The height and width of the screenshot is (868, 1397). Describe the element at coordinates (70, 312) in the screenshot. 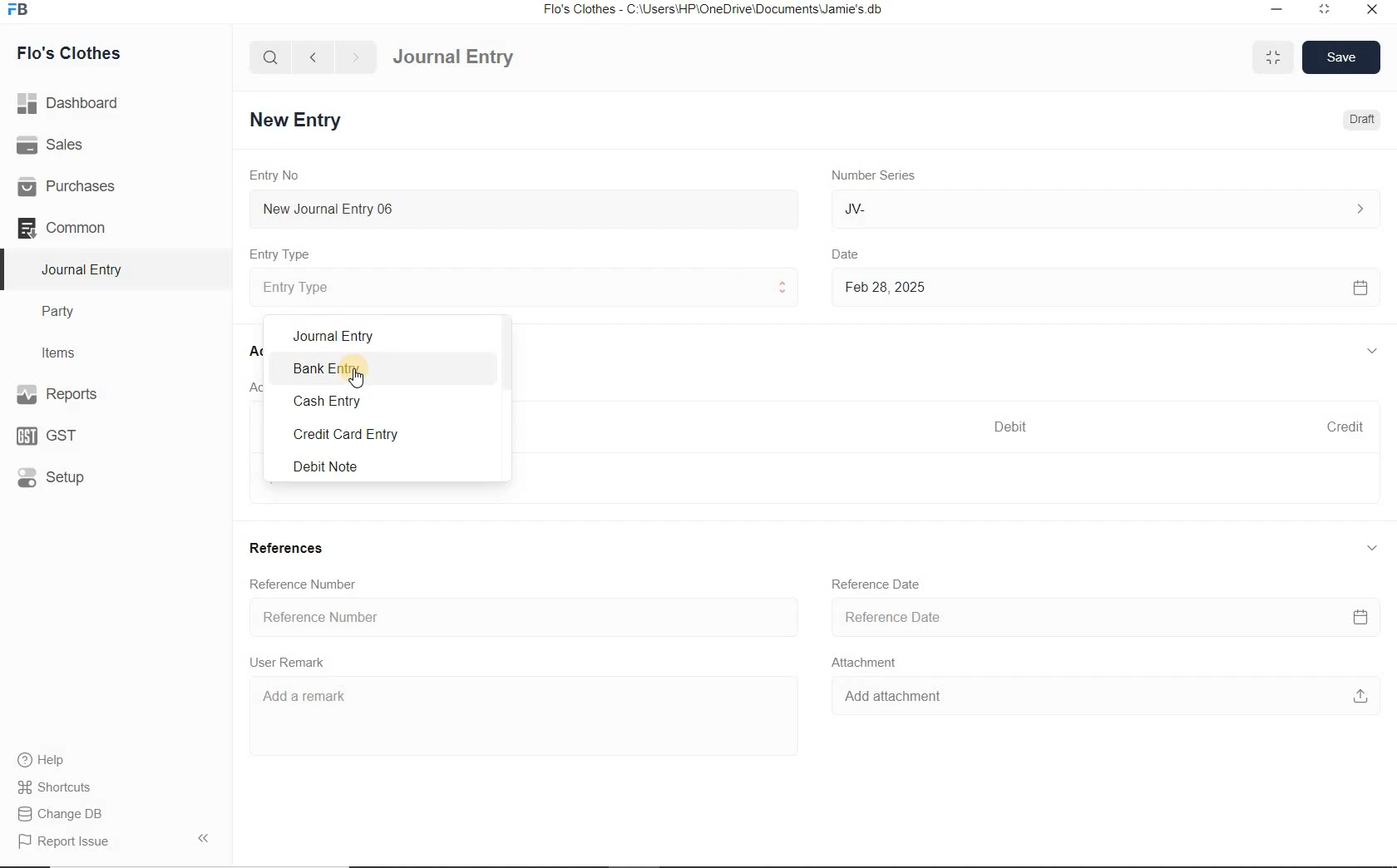

I see `Party` at that location.